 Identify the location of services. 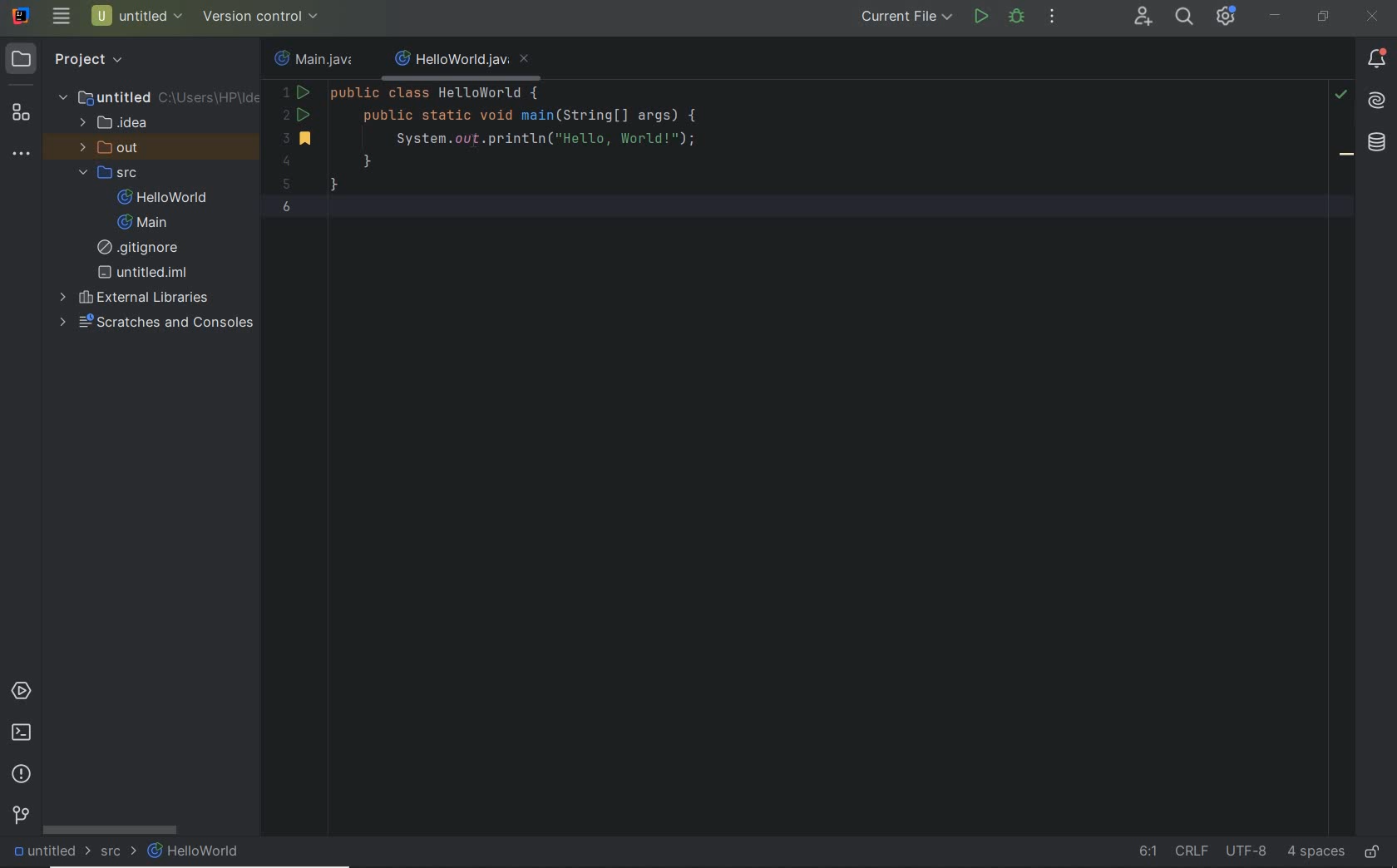
(22, 692).